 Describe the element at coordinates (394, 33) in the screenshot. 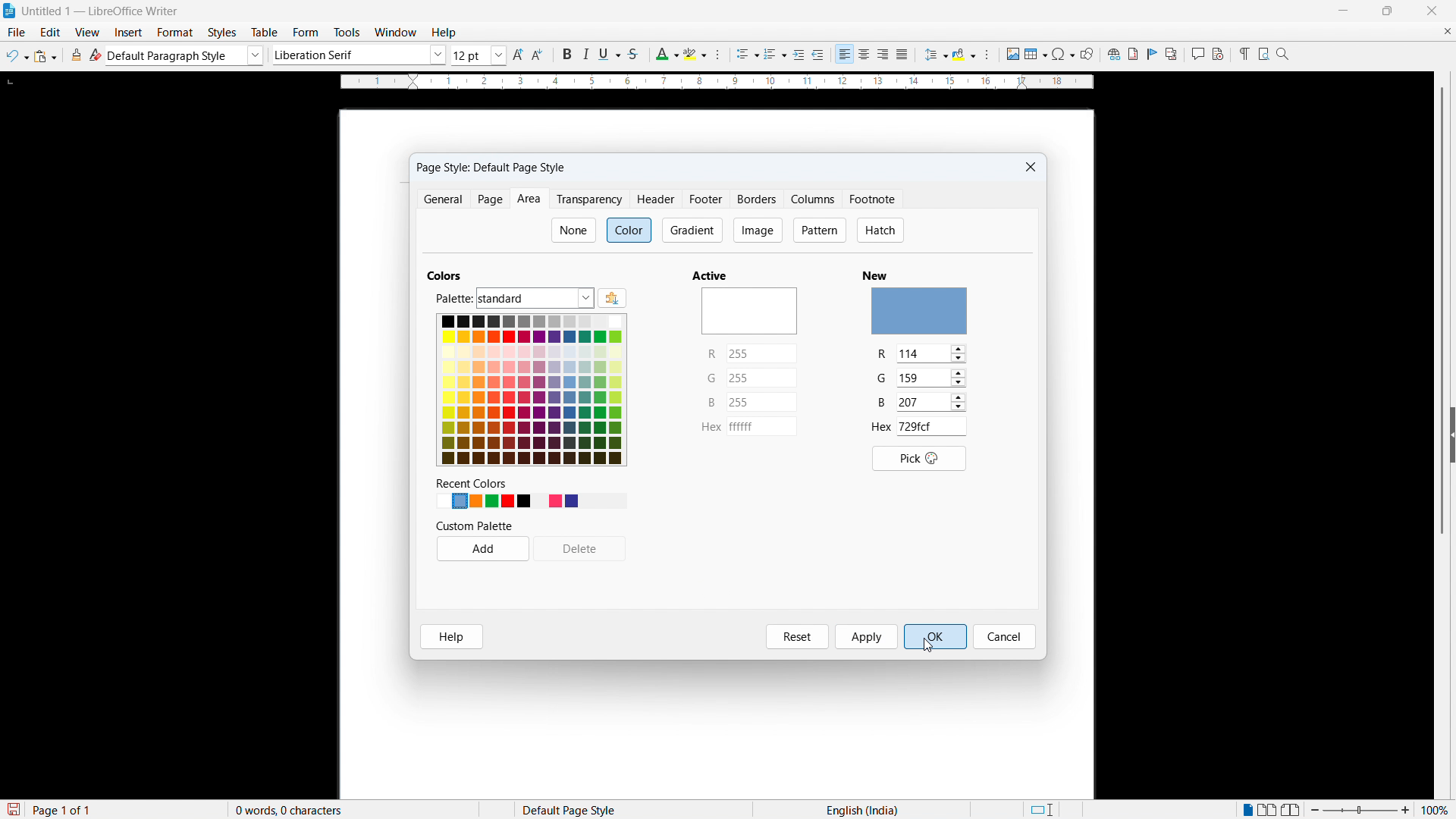

I see `Window ` at that location.